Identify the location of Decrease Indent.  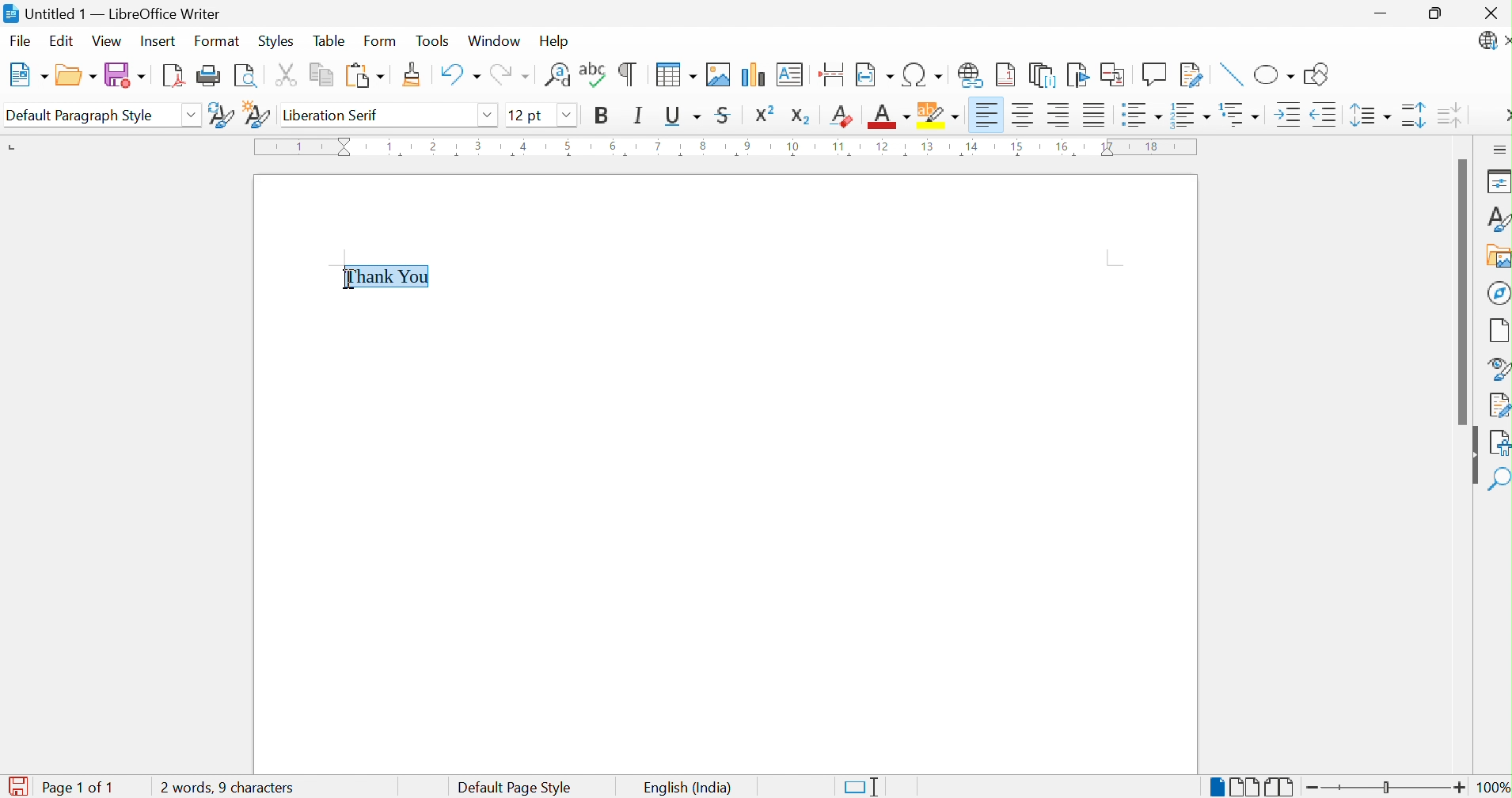
(1325, 114).